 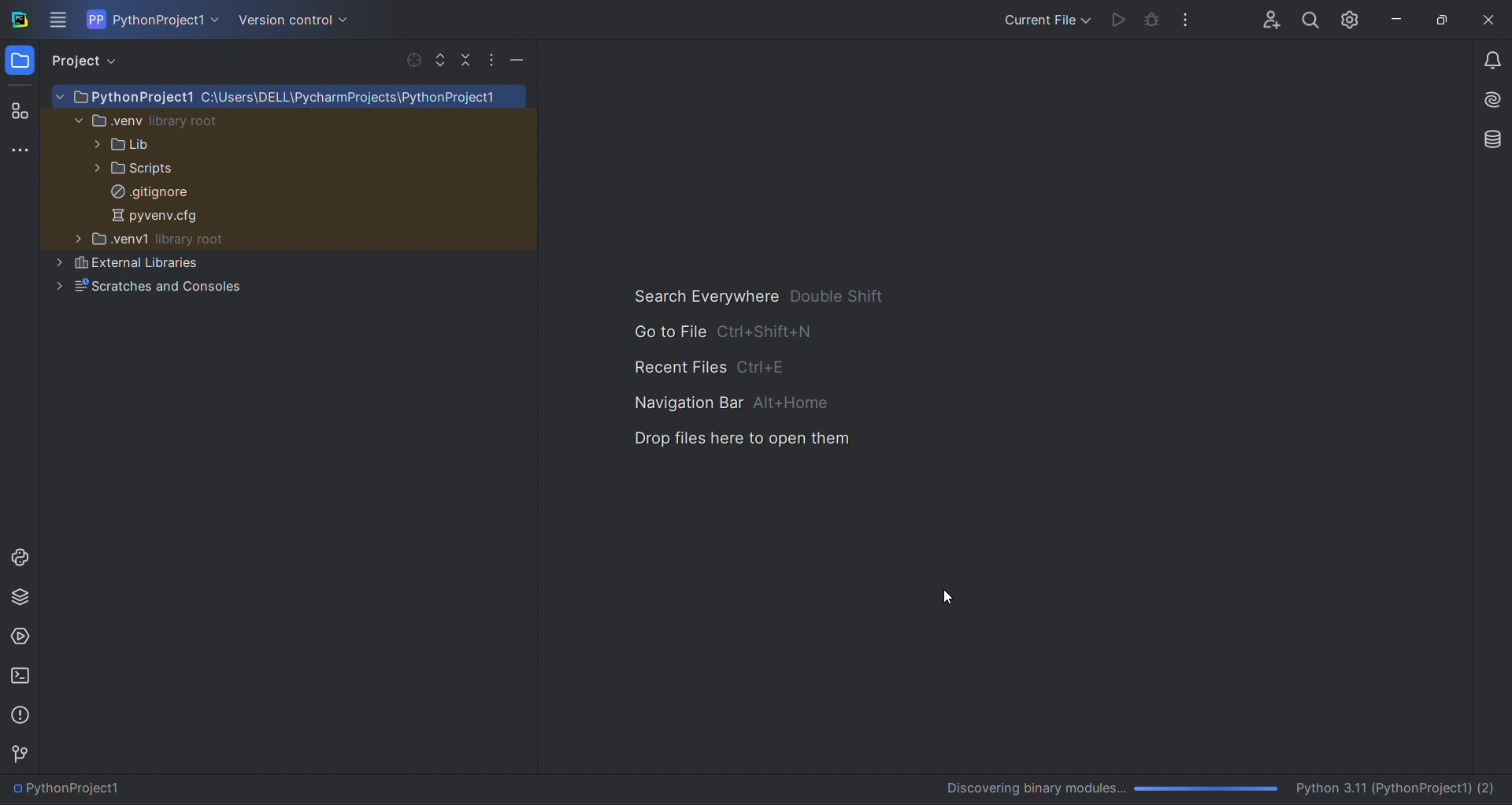 What do you see at coordinates (1191, 18) in the screenshot?
I see `more actions` at bounding box center [1191, 18].